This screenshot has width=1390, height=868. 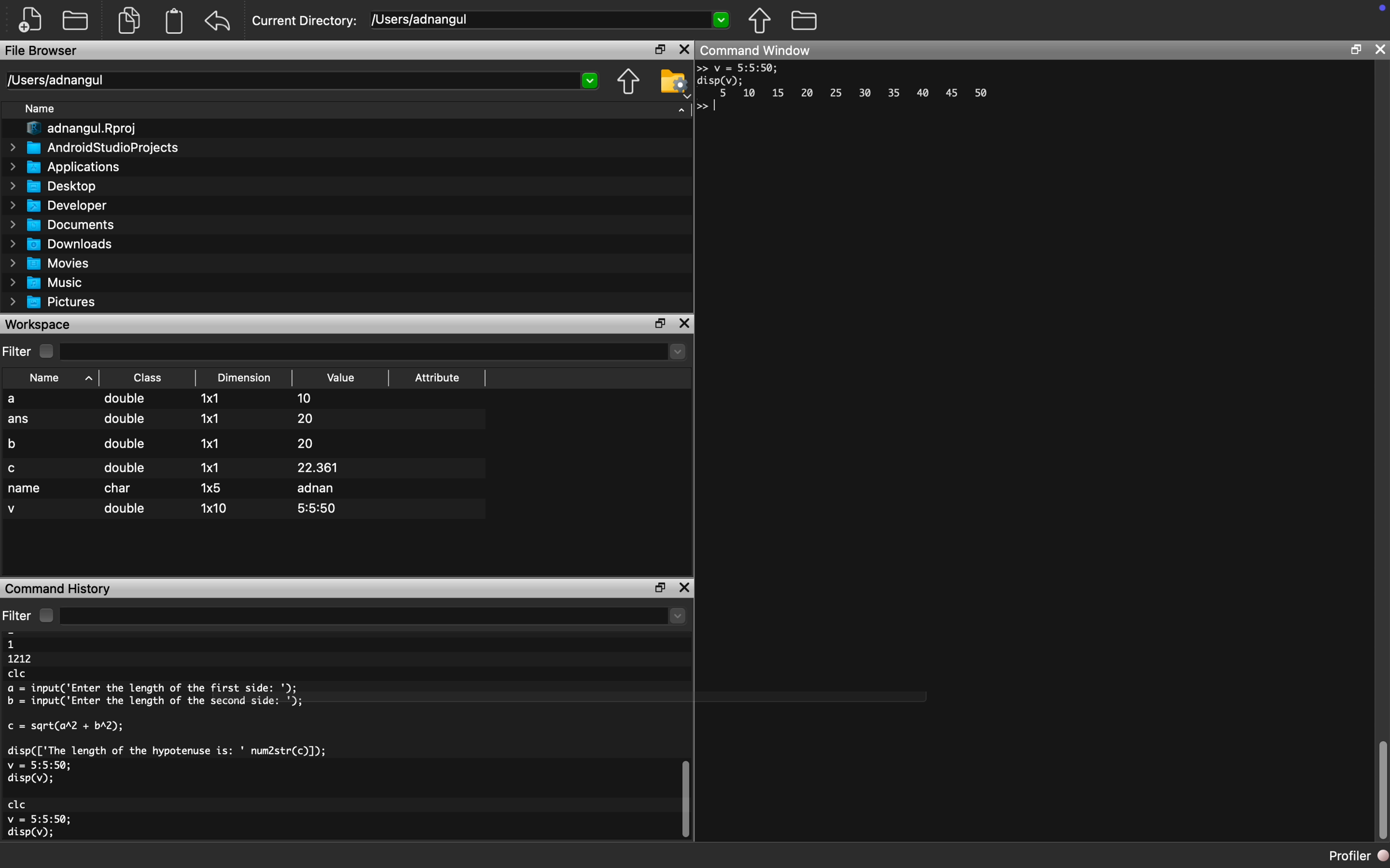 What do you see at coordinates (1383, 7) in the screenshot?
I see `icon` at bounding box center [1383, 7].